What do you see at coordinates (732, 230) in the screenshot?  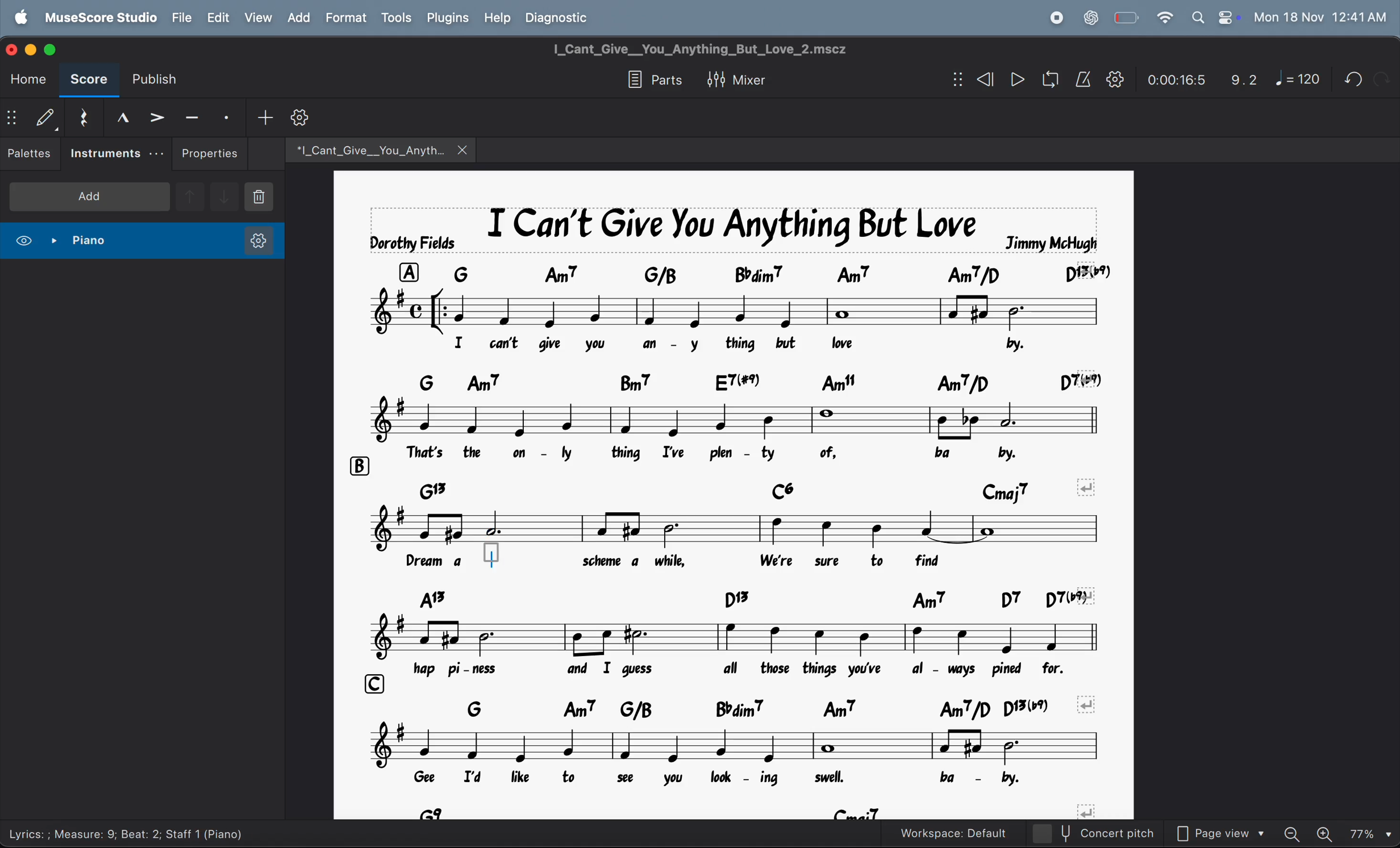 I see `music title` at bounding box center [732, 230].